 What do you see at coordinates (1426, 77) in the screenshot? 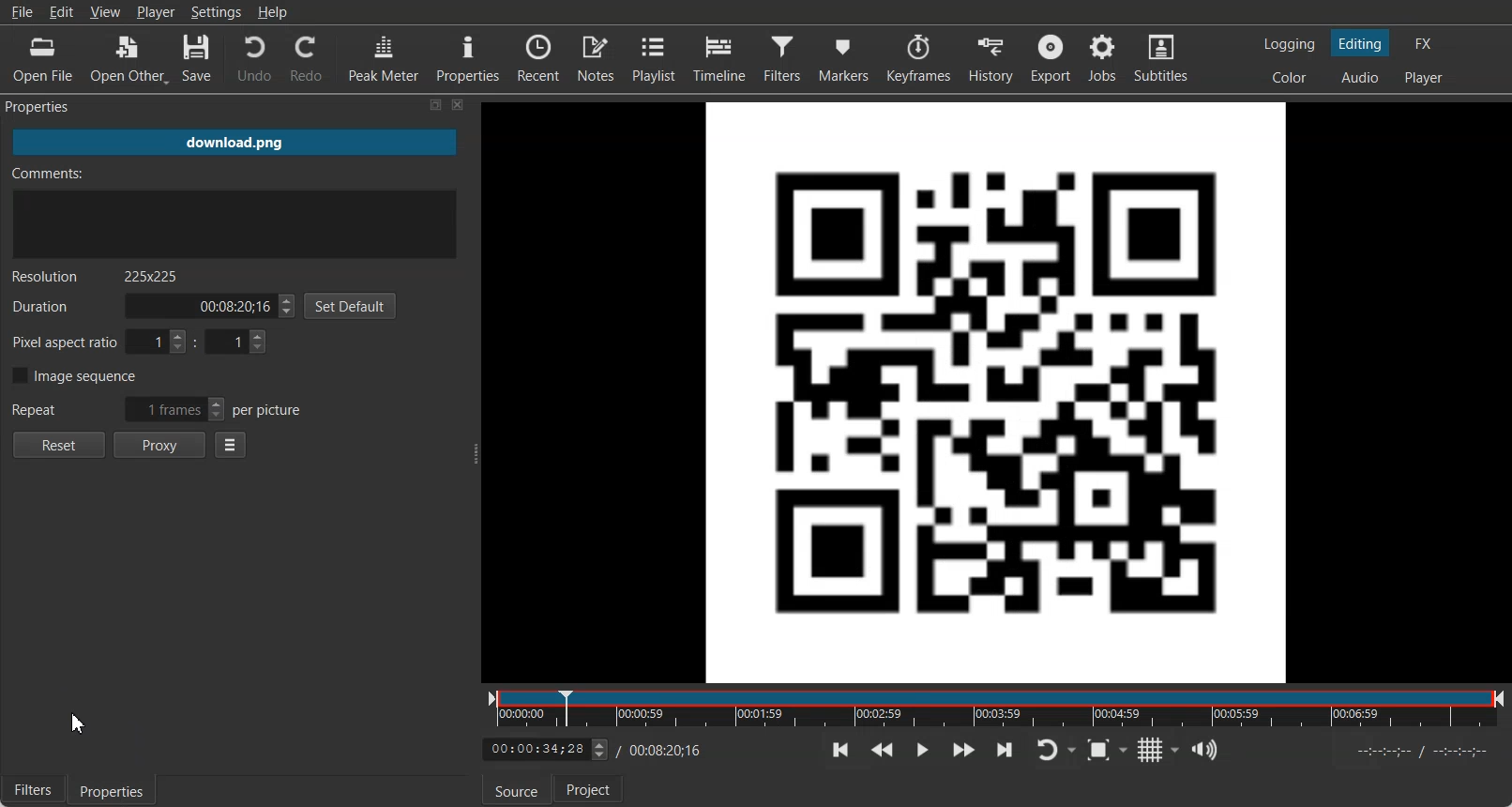
I see `Switch to Player one layout` at bounding box center [1426, 77].